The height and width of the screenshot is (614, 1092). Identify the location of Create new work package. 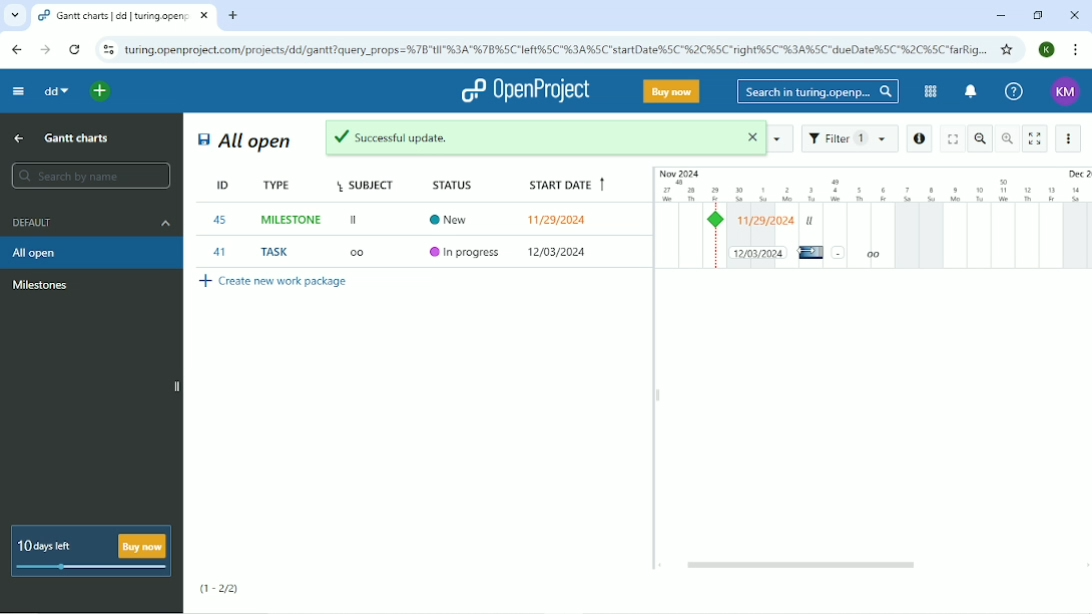
(274, 284).